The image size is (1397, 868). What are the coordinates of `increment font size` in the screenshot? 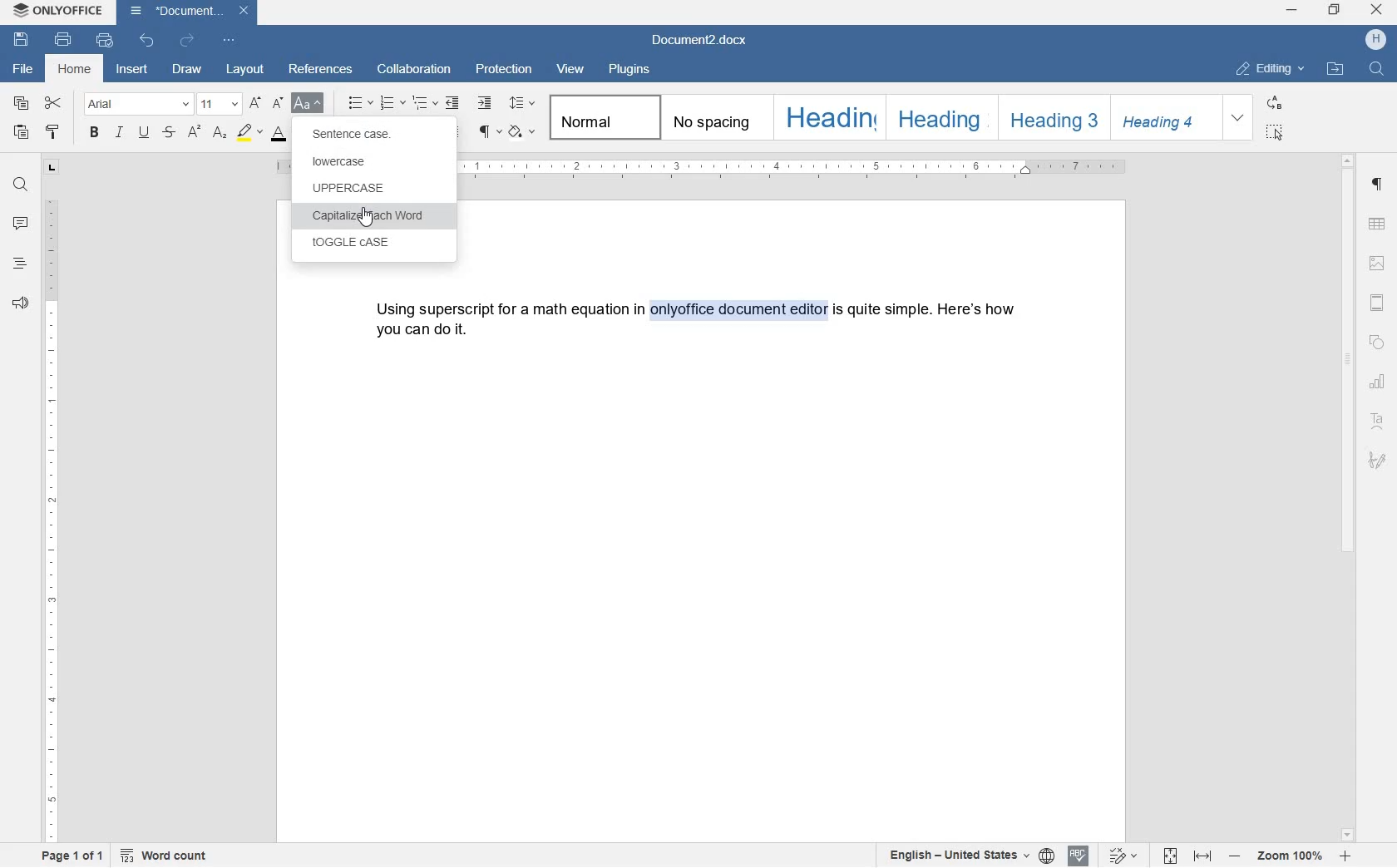 It's located at (254, 104).